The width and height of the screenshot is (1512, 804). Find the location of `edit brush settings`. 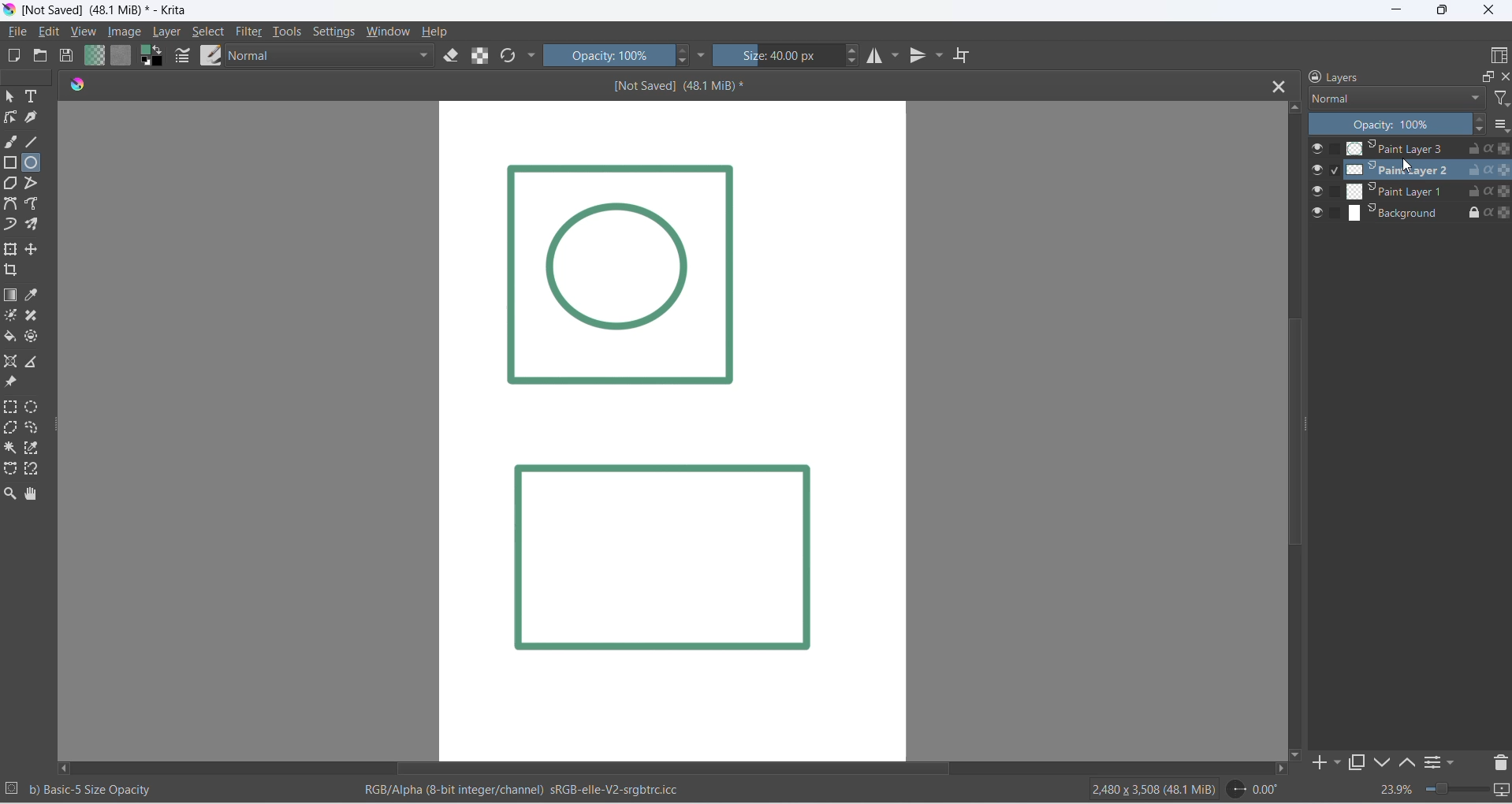

edit brush settings is located at coordinates (184, 58).